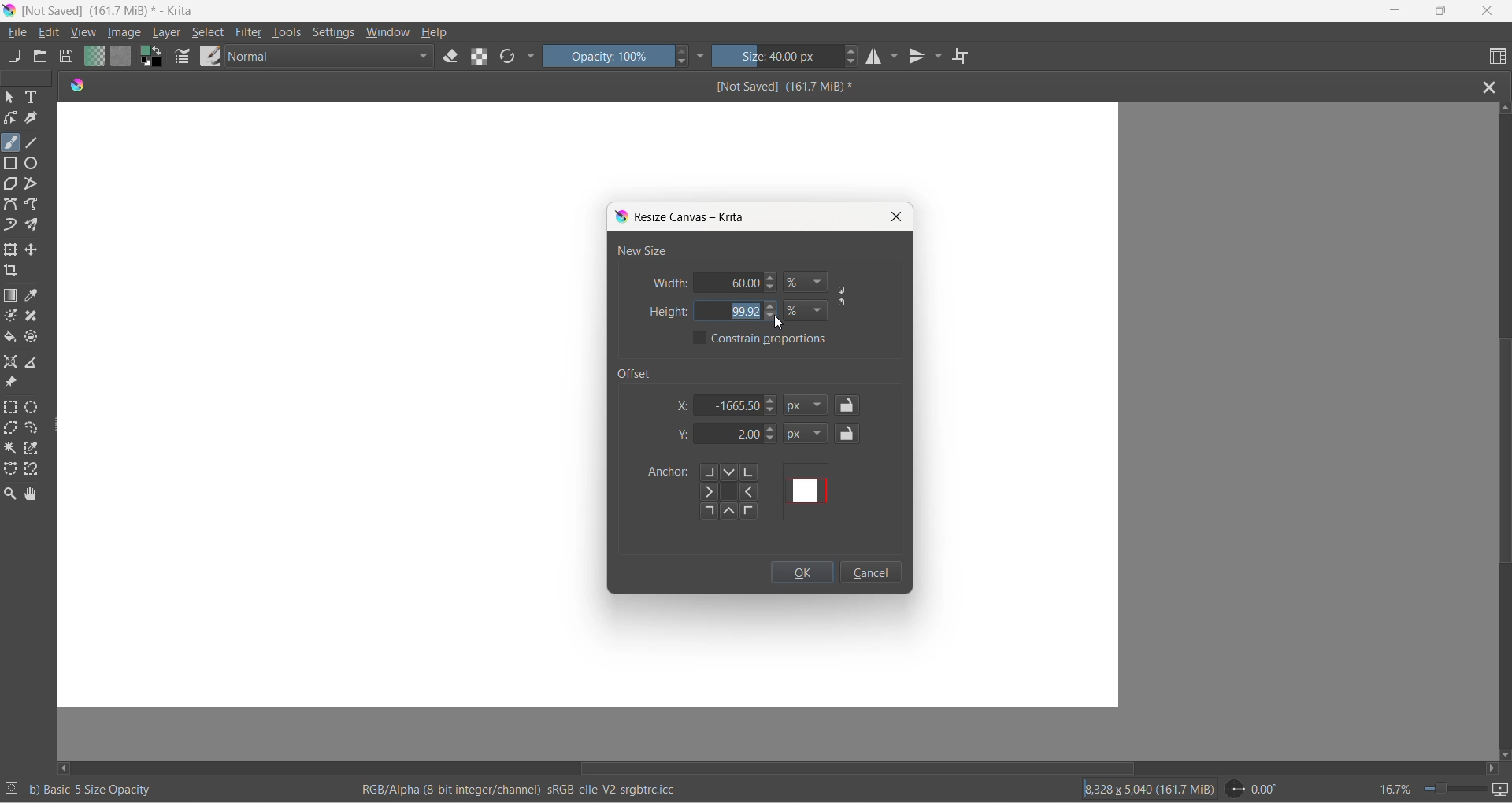 This screenshot has width=1512, height=803. I want to click on brush tool, so click(12, 142).